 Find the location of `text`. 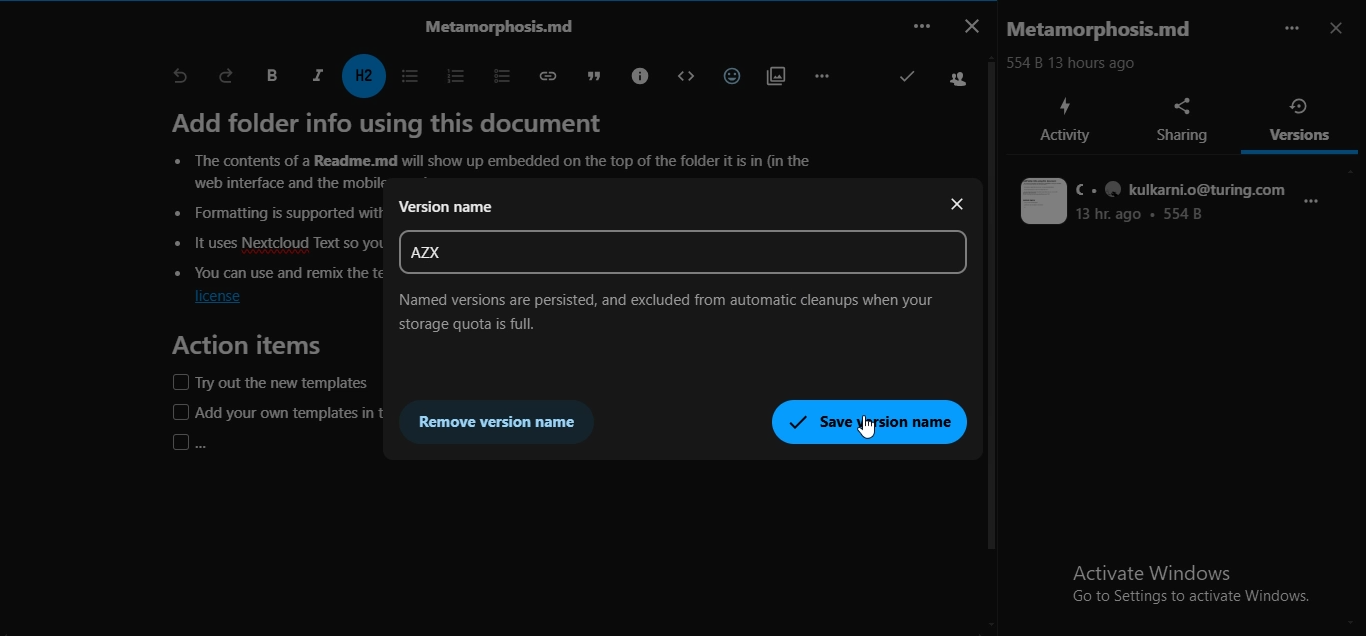

text is located at coordinates (493, 25).